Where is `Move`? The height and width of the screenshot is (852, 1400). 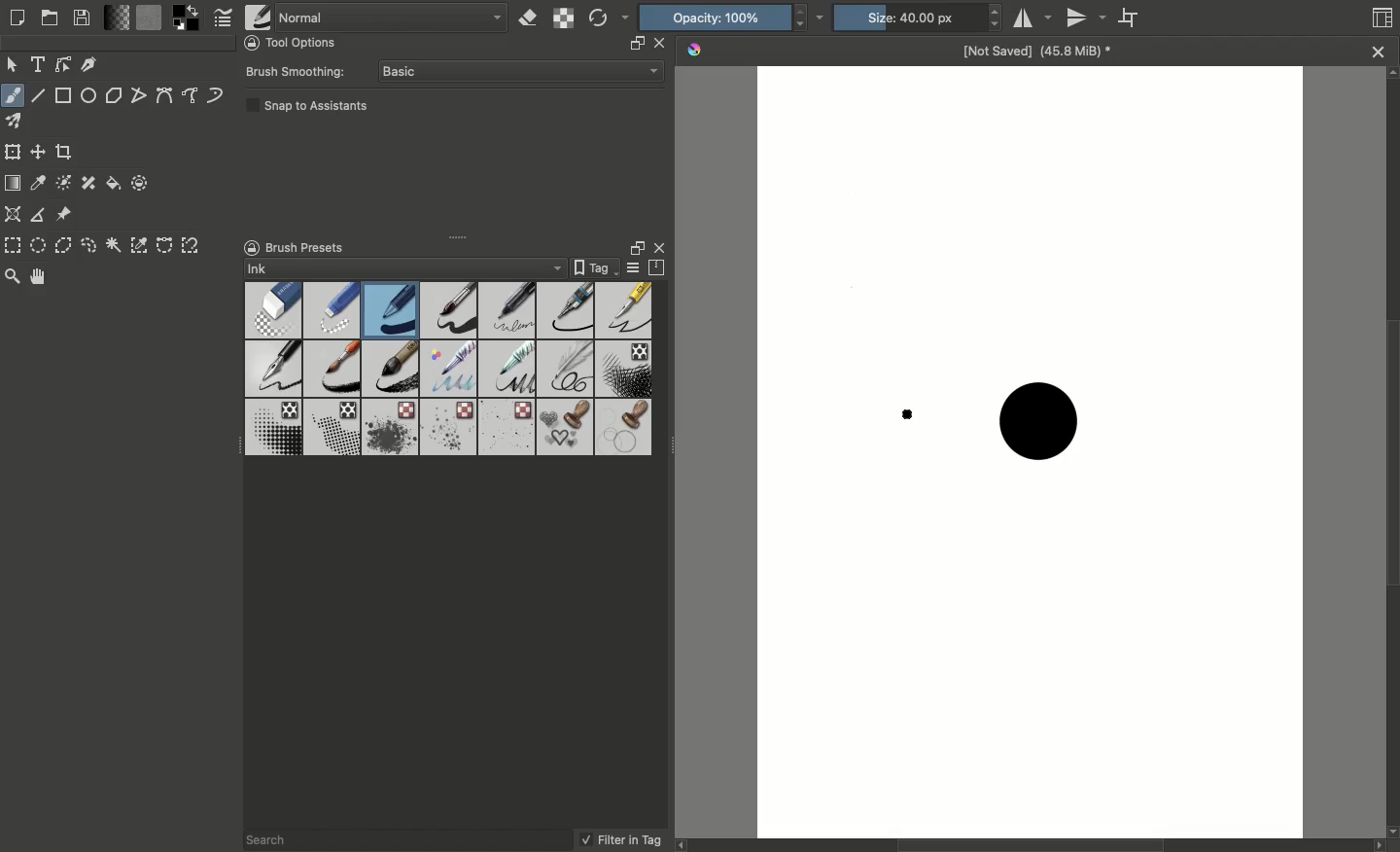 Move is located at coordinates (13, 63).